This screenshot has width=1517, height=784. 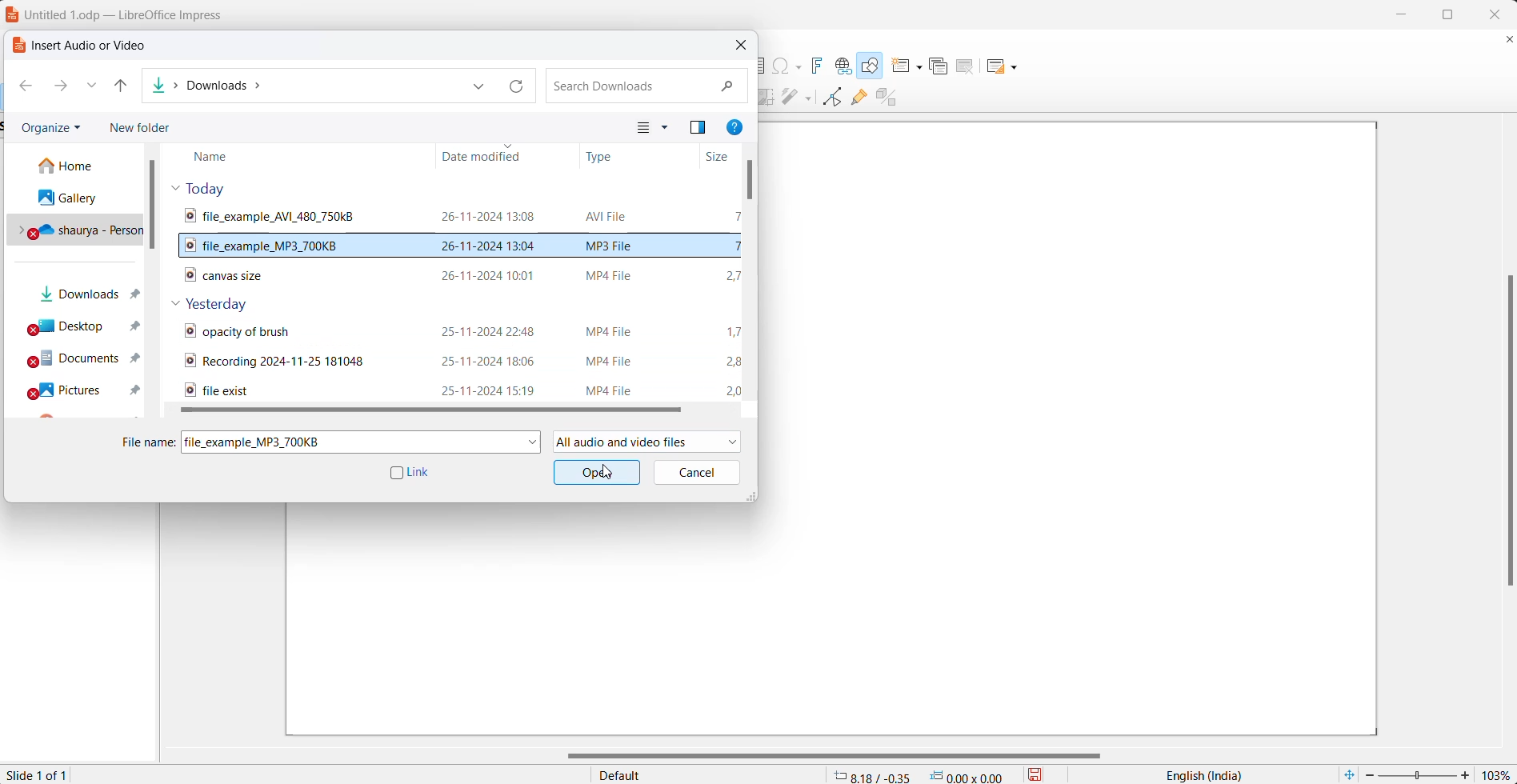 I want to click on fit current slide to windows, so click(x=1349, y=774).